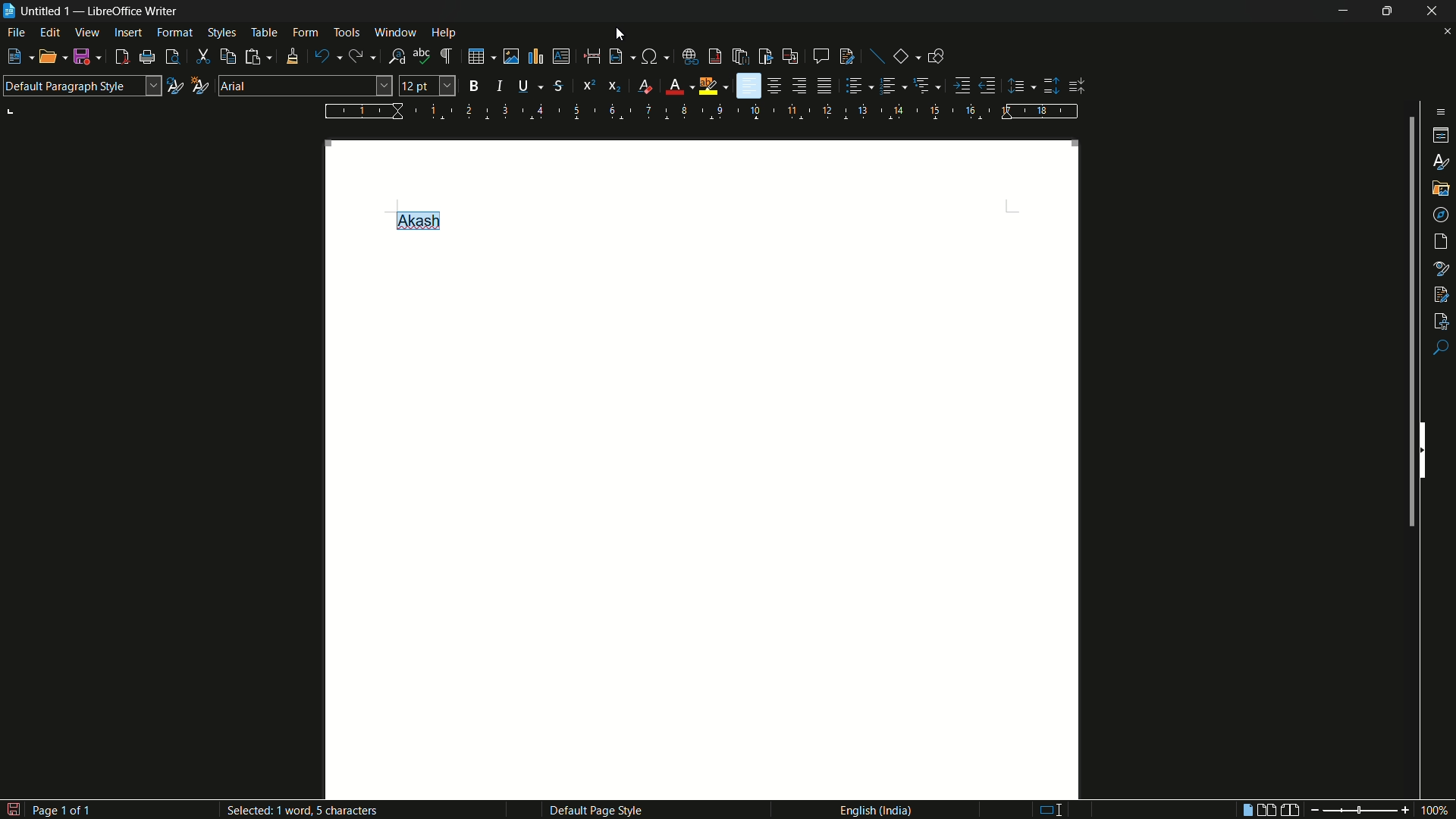 The height and width of the screenshot is (819, 1456). Describe the element at coordinates (174, 32) in the screenshot. I see `format menu` at that location.